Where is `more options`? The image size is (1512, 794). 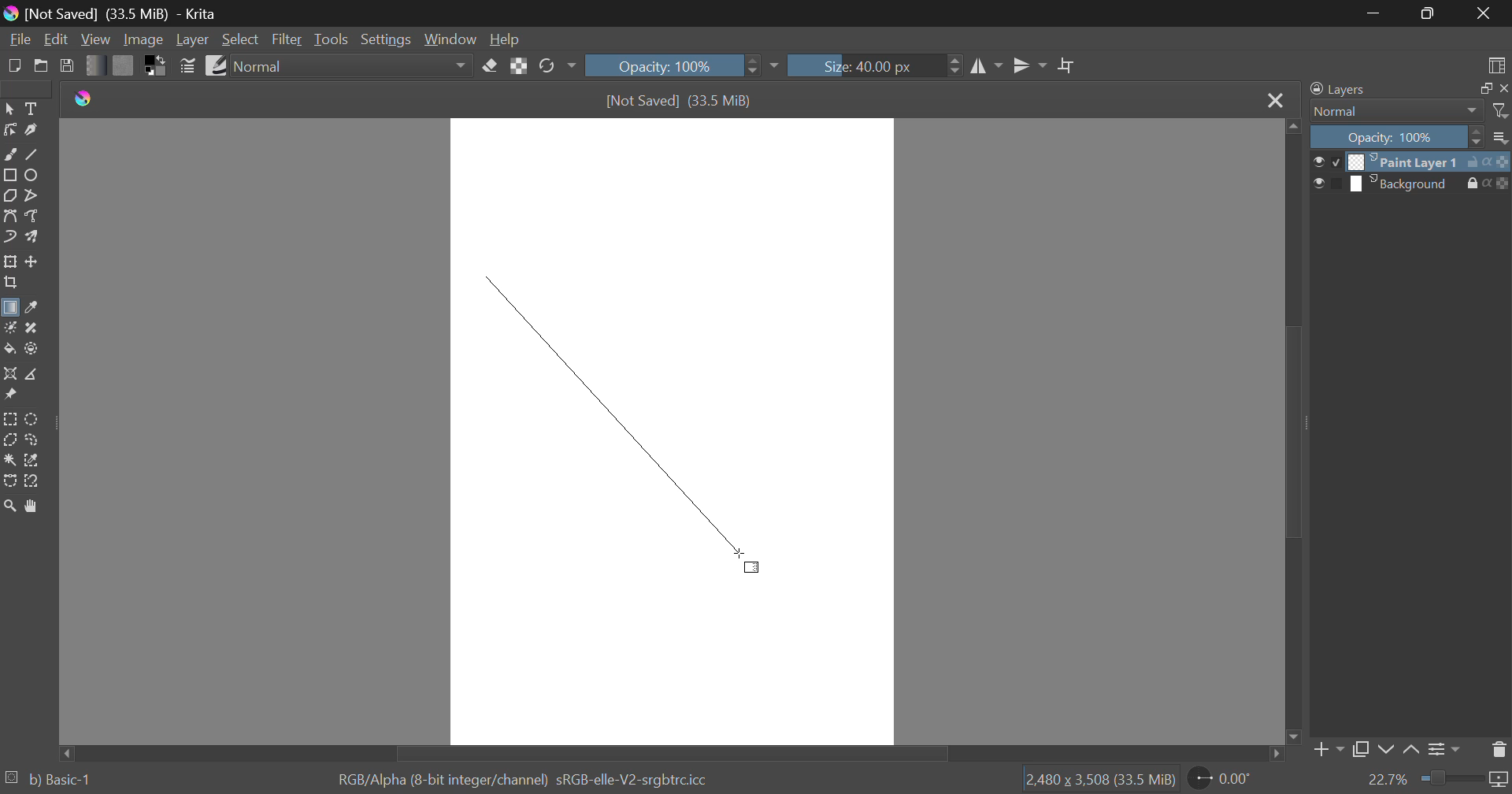 more options is located at coordinates (1501, 137).